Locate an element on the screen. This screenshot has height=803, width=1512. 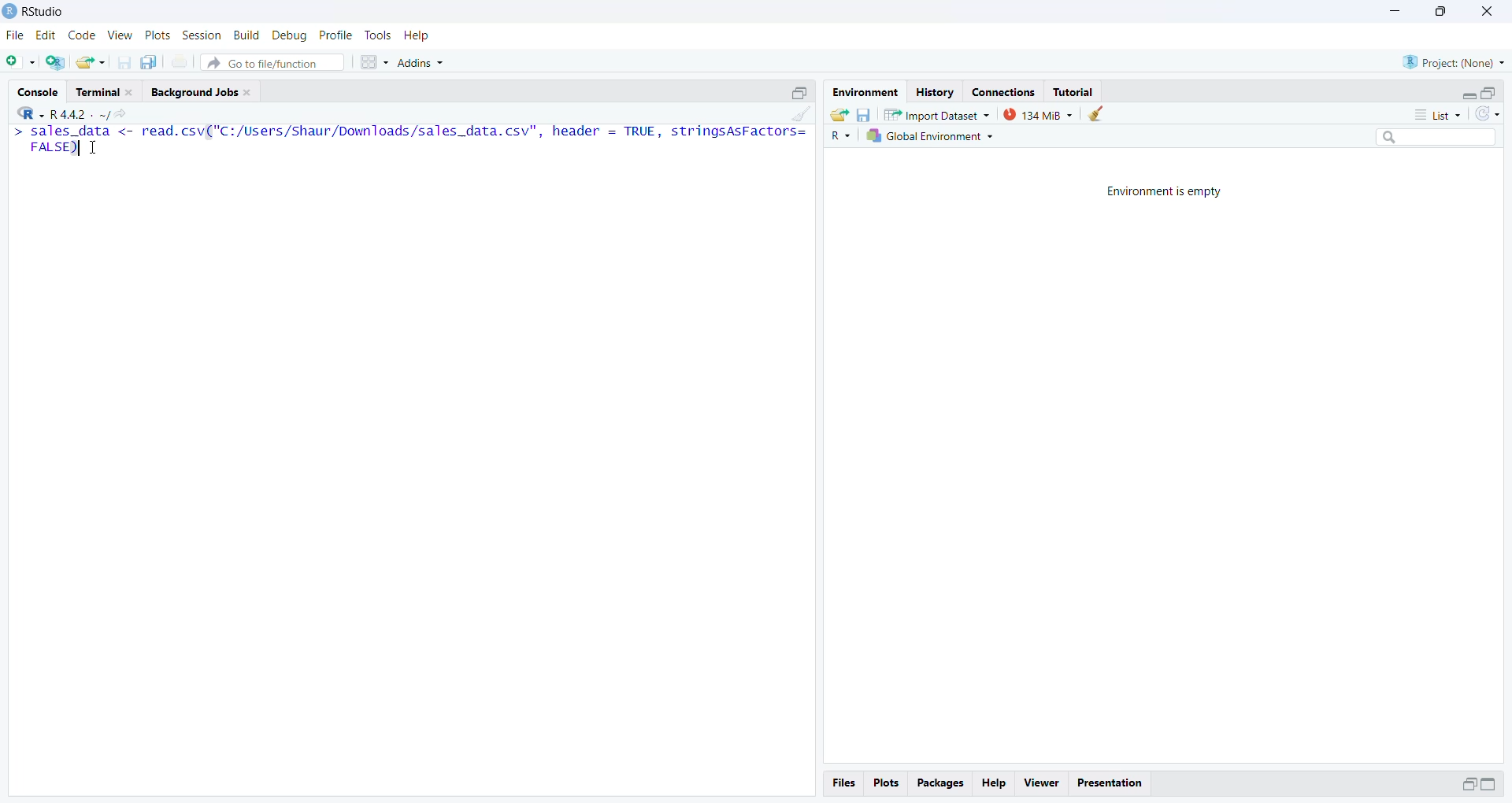
> sales_data <- read.csv("C:/Users/Shaur/Downloads/sales_data.csv", header = TRUE, stringsAsFactors=
FALSE) T is located at coordinates (407, 142).